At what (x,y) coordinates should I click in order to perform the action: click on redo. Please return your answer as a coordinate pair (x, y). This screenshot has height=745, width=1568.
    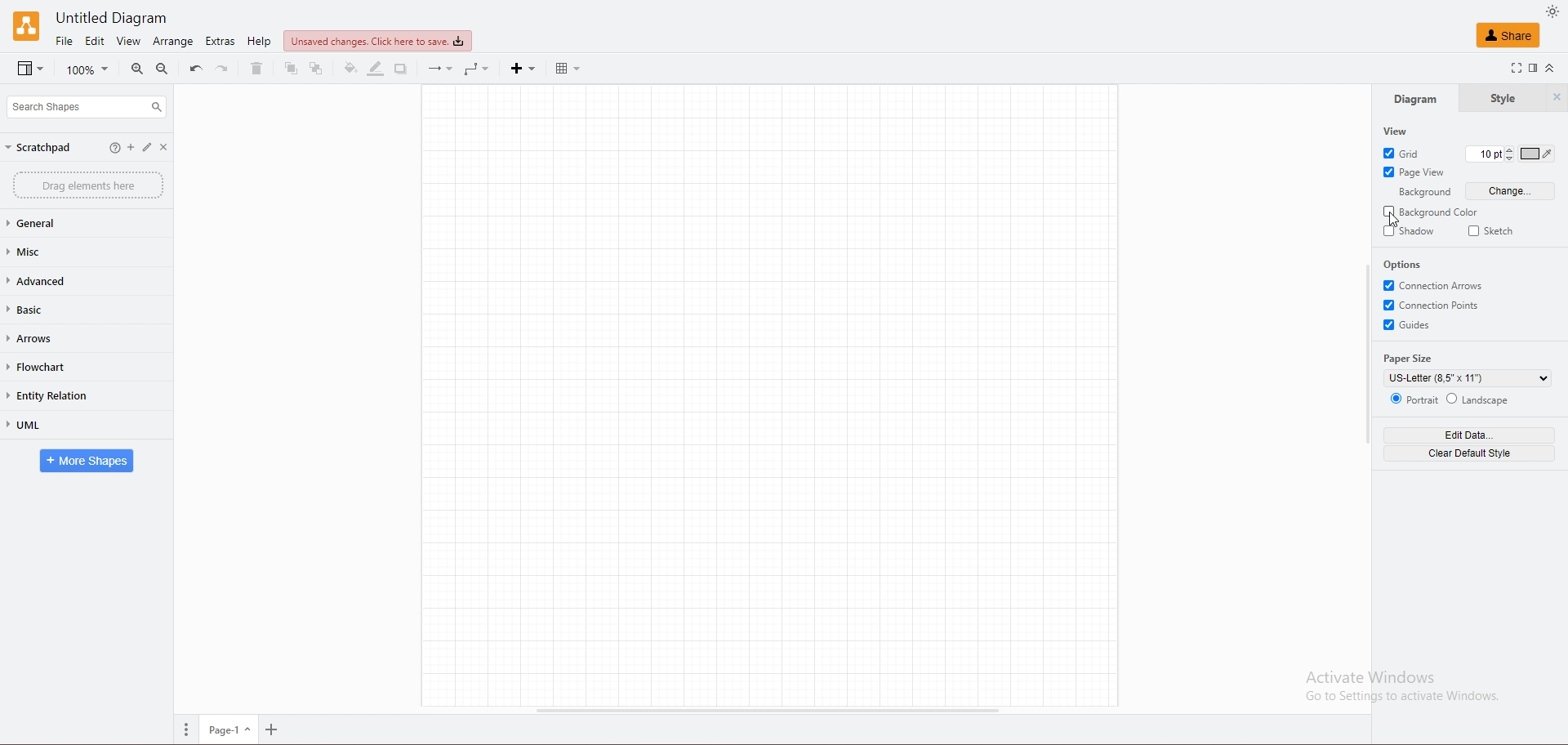
    Looking at the image, I should click on (225, 68).